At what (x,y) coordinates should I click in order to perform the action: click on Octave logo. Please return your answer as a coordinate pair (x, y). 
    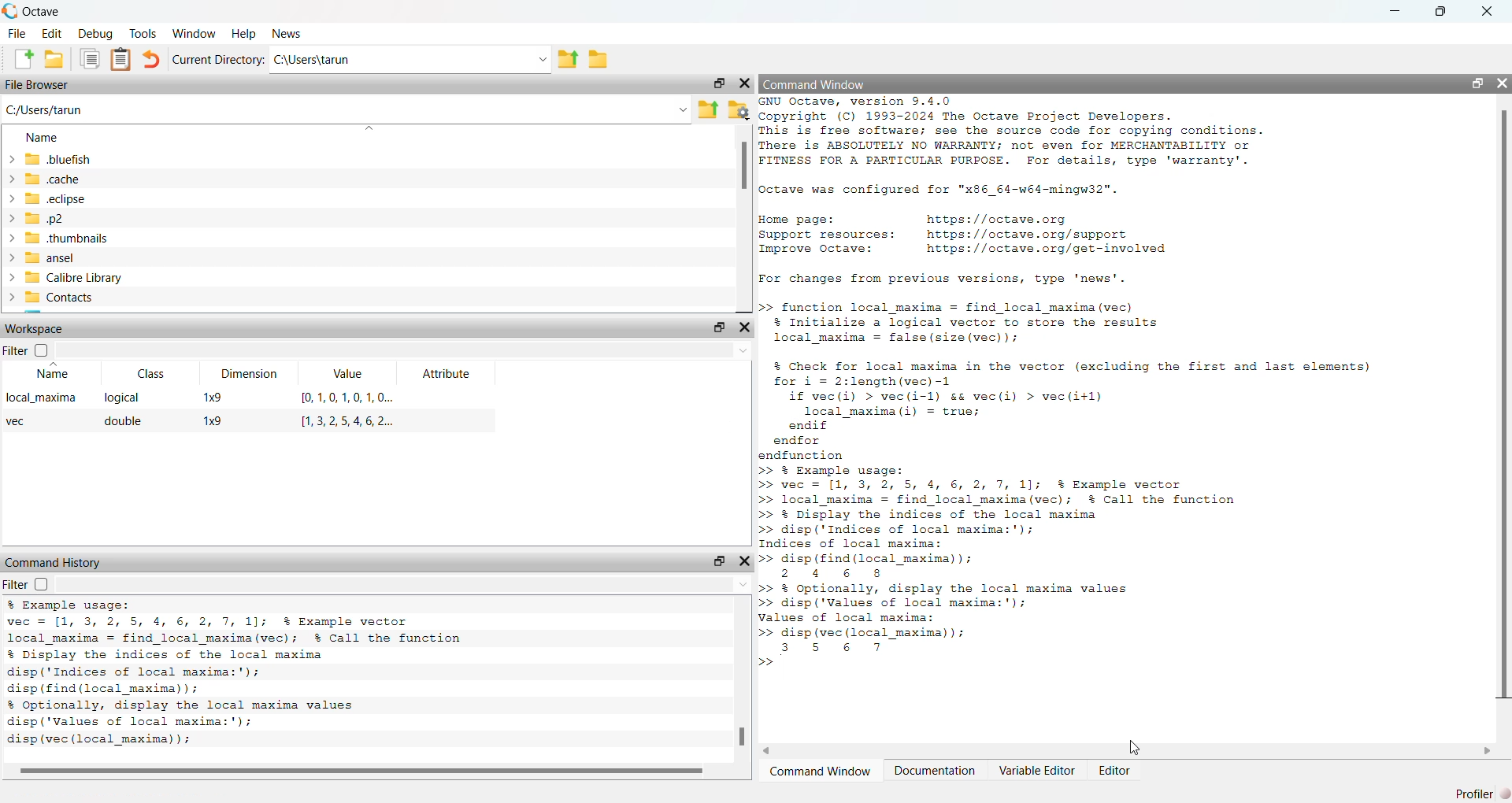
    Looking at the image, I should click on (10, 11).